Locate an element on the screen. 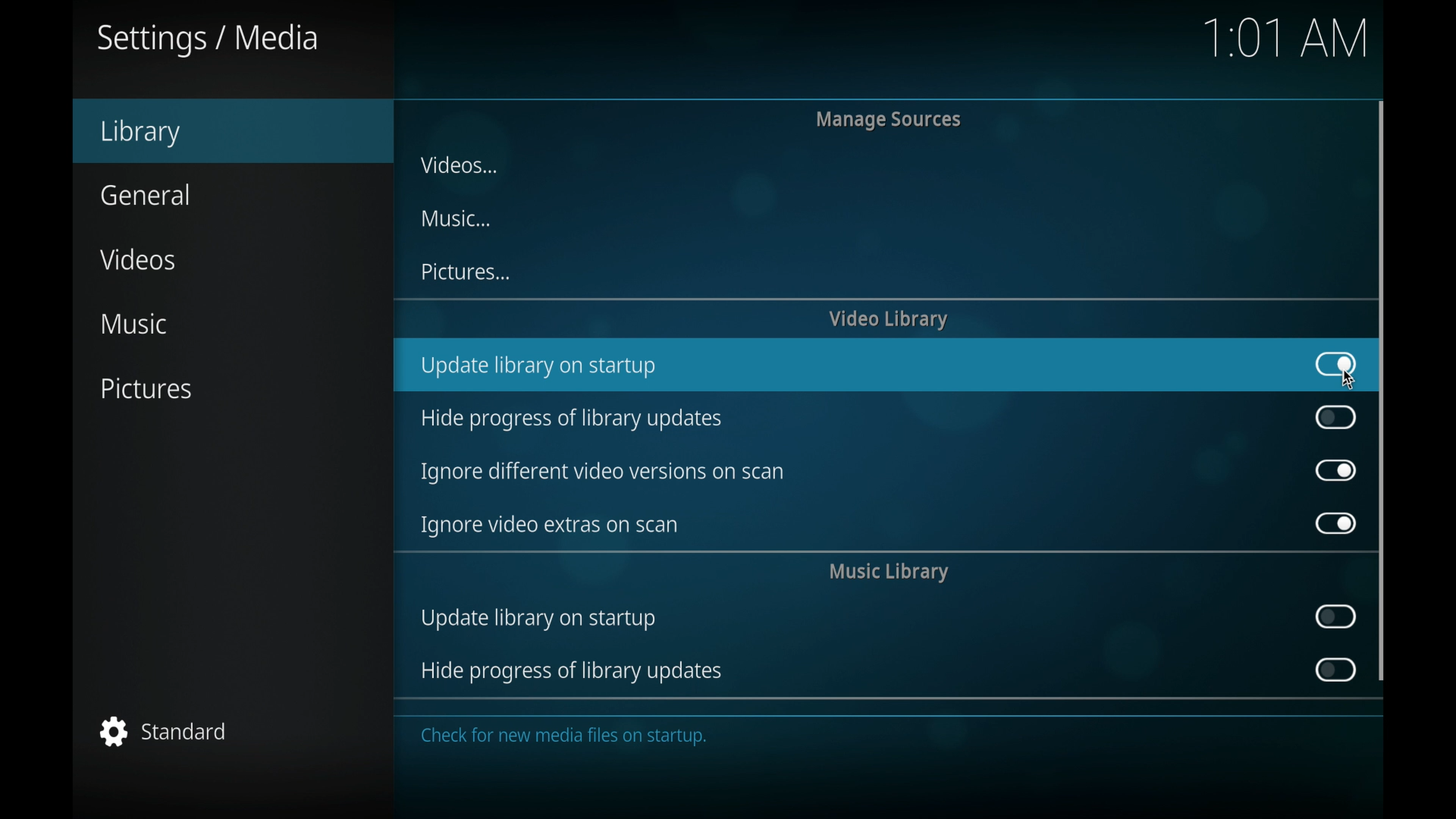  music library is located at coordinates (889, 573).